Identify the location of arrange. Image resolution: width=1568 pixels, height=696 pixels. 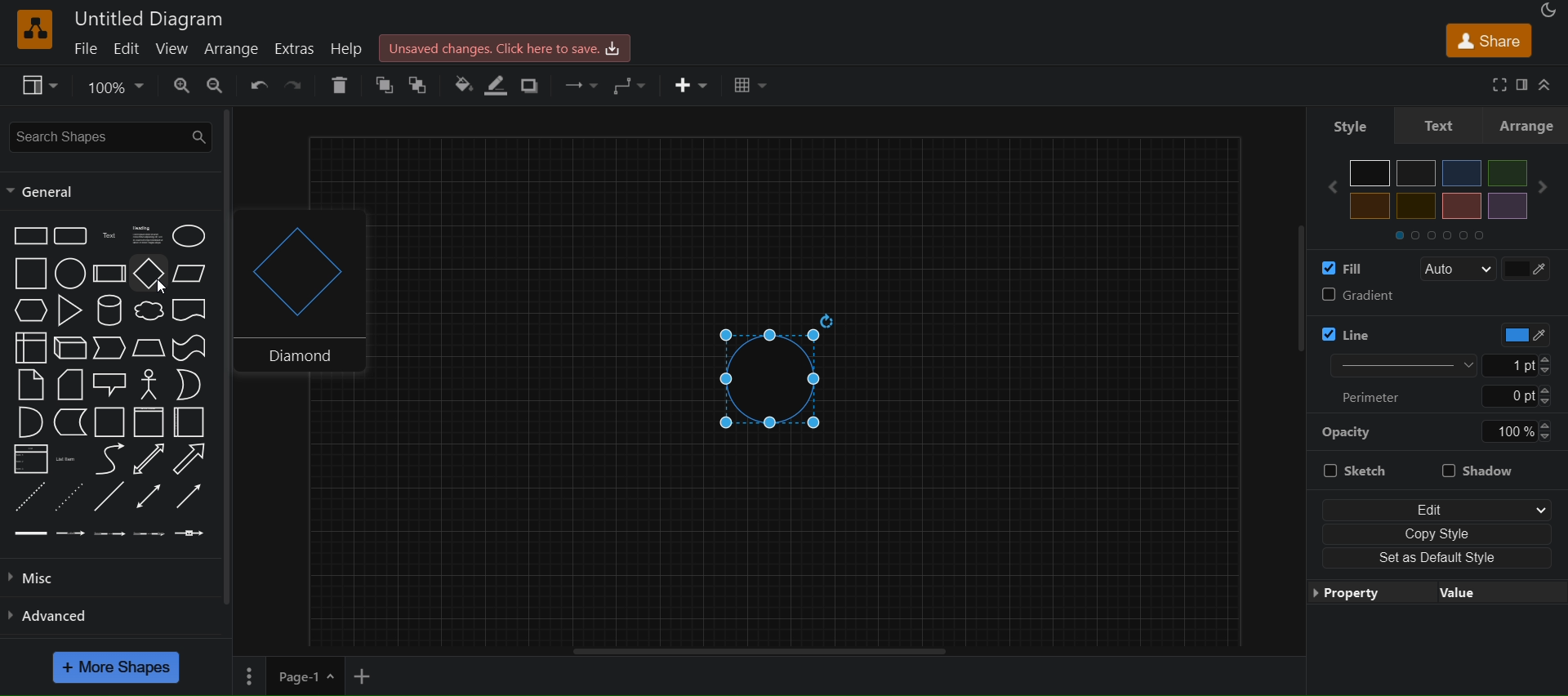
(236, 50).